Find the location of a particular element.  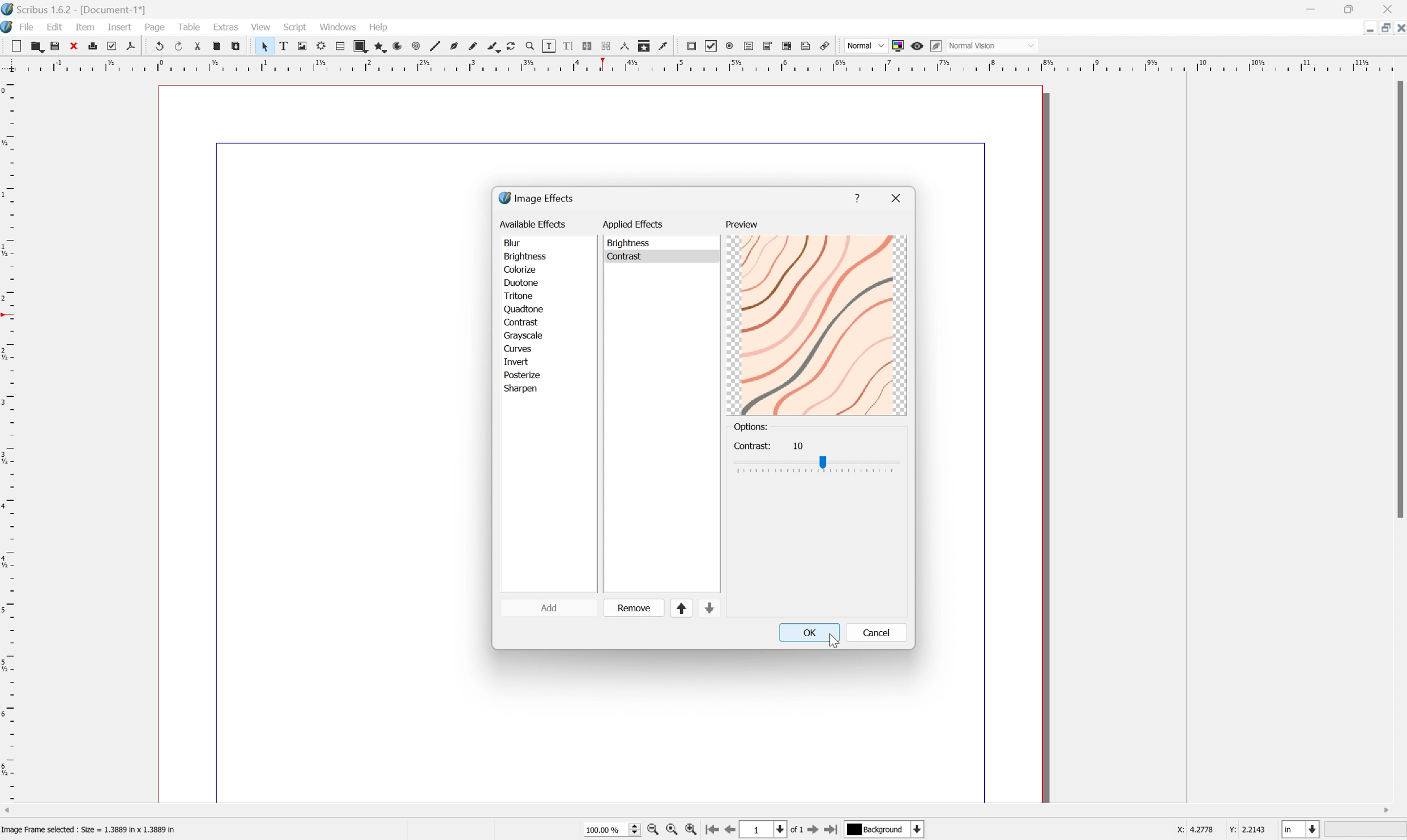

image effects is located at coordinates (537, 198).